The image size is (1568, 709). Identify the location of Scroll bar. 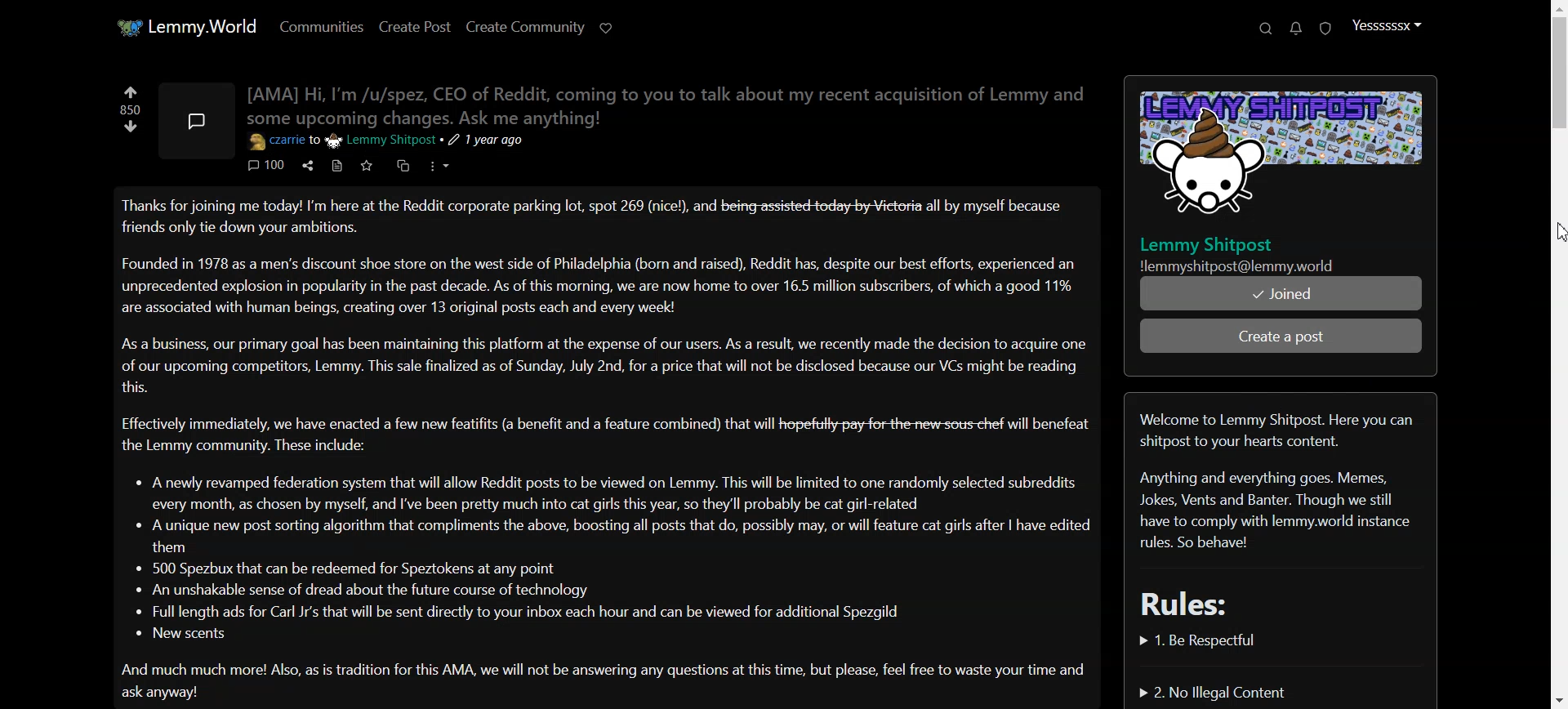
(1557, 354).